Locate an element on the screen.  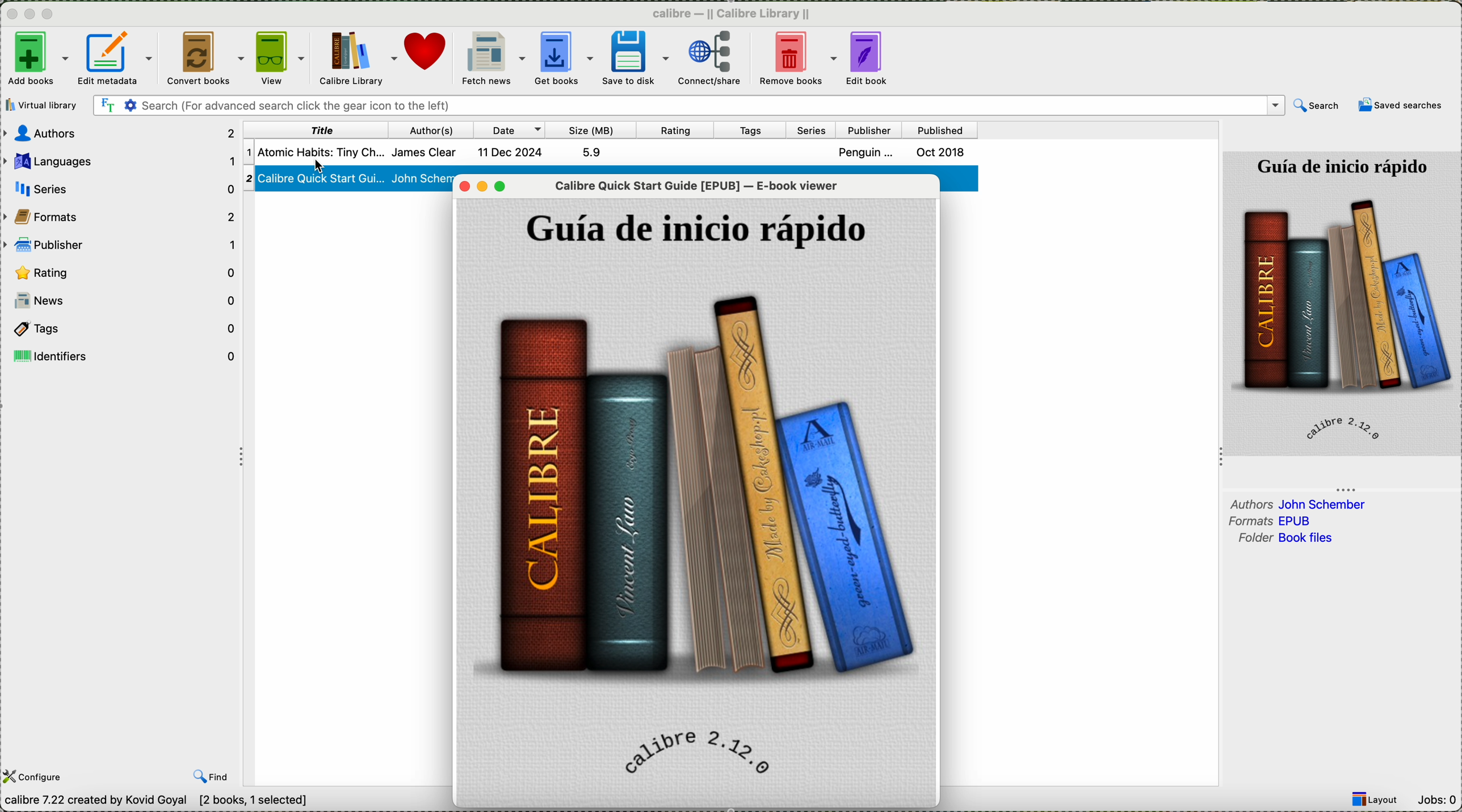
mouse is located at coordinates (322, 166).